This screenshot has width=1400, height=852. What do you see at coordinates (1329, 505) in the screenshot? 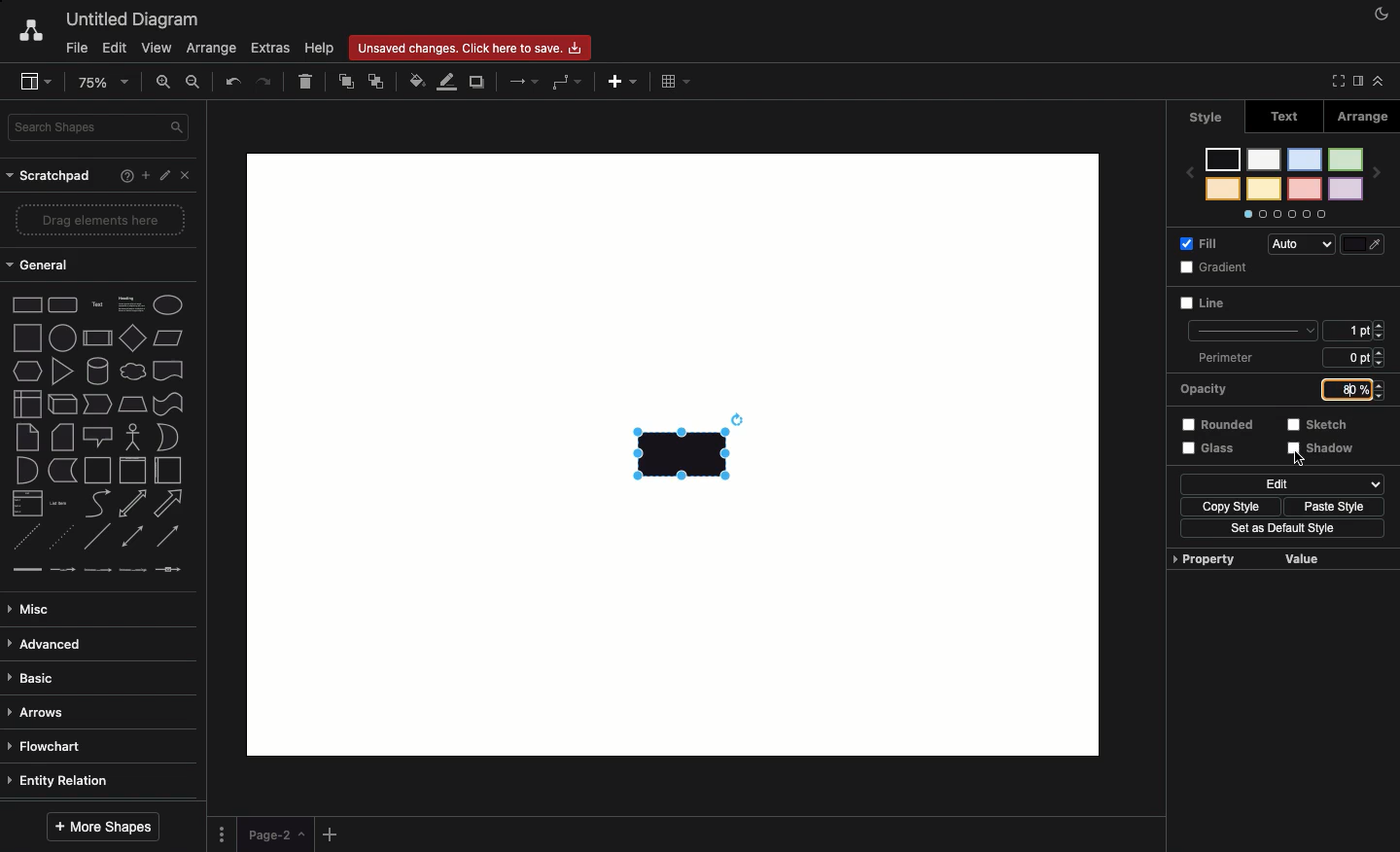
I see `Paste style` at bounding box center [1329, 505].